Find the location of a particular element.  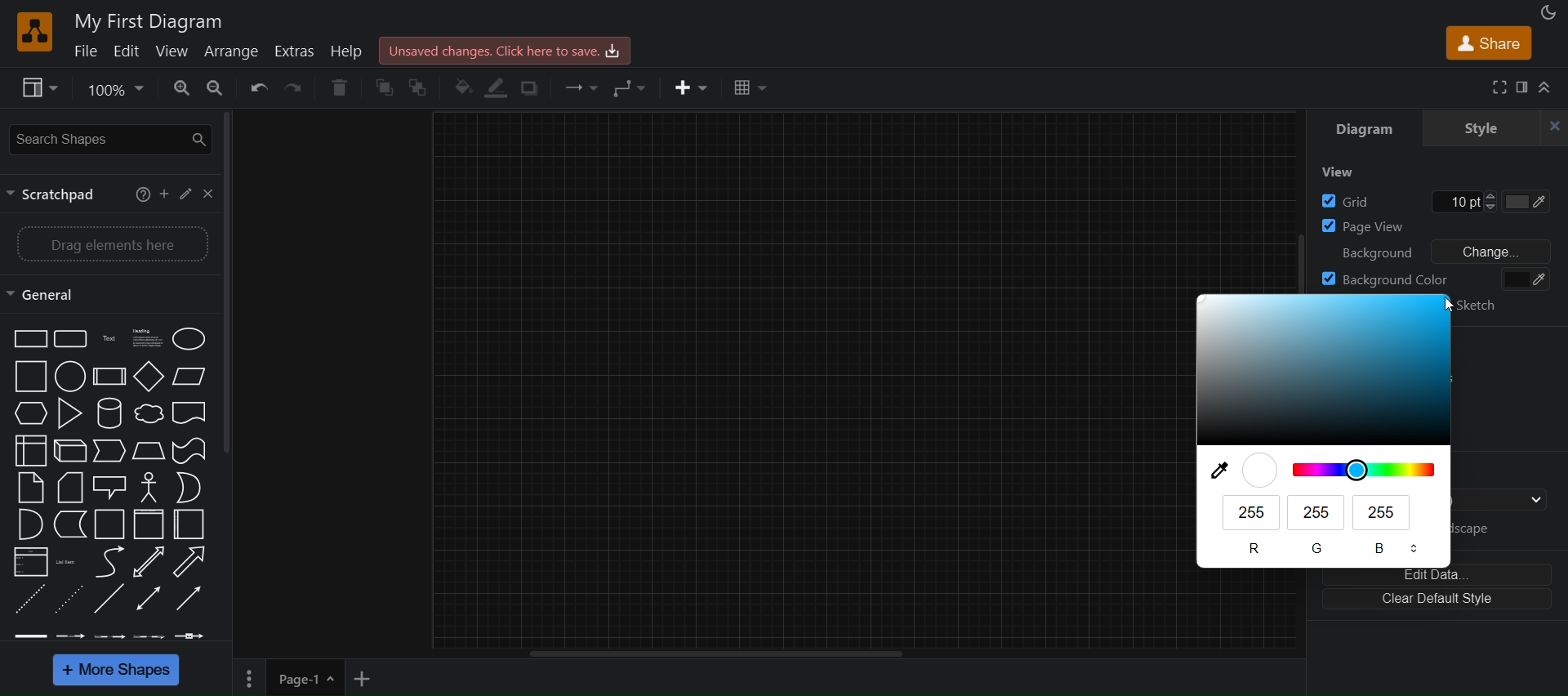

to back is located at coordinates (425, 85).